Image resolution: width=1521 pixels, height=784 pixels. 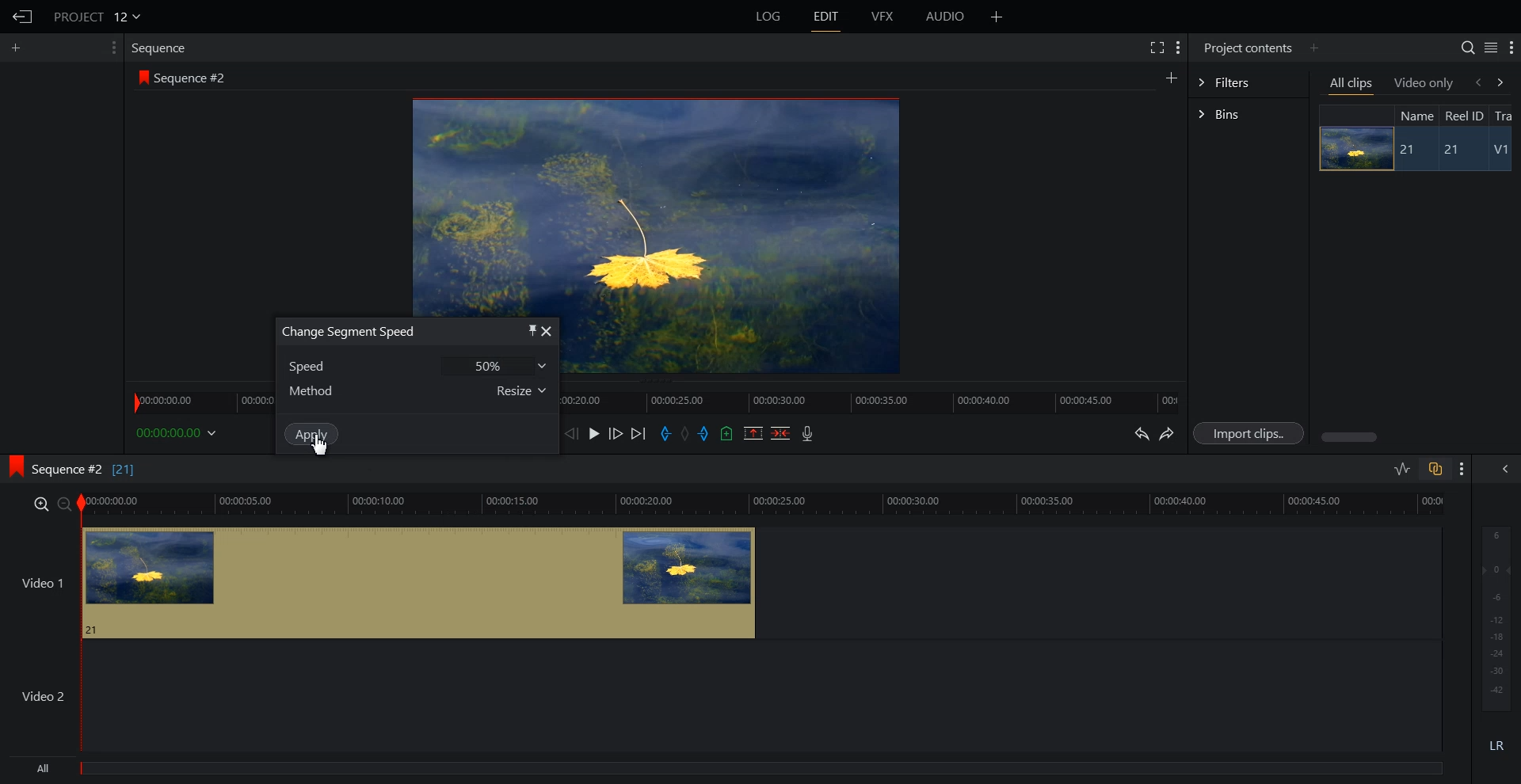 What do you see at coordinates (1504, 82) in the screenshot?
I see `forward` at bounding box center [1504, 82].